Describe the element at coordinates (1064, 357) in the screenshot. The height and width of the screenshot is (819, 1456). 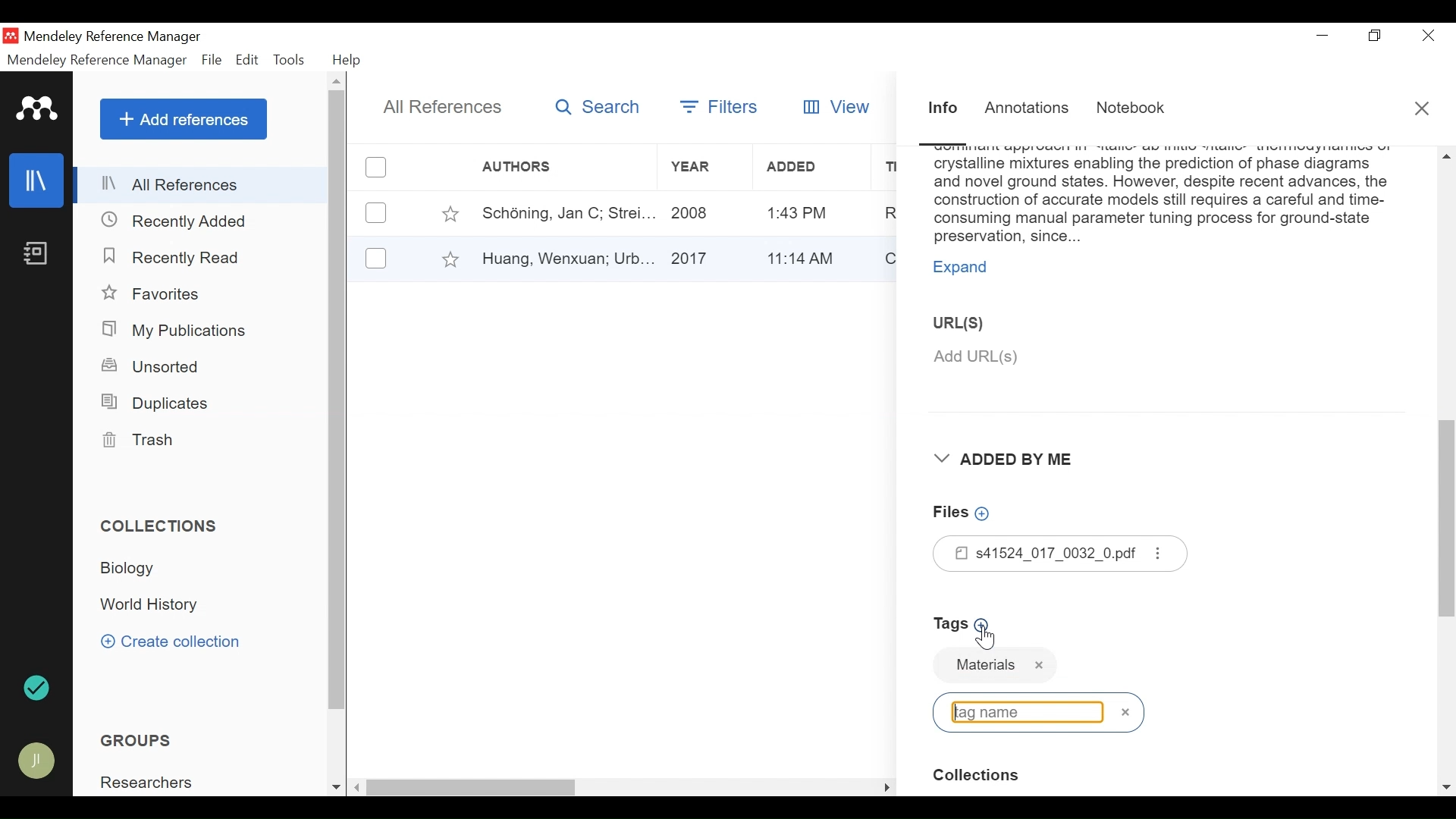
I see `Add URL(S)` at that location.